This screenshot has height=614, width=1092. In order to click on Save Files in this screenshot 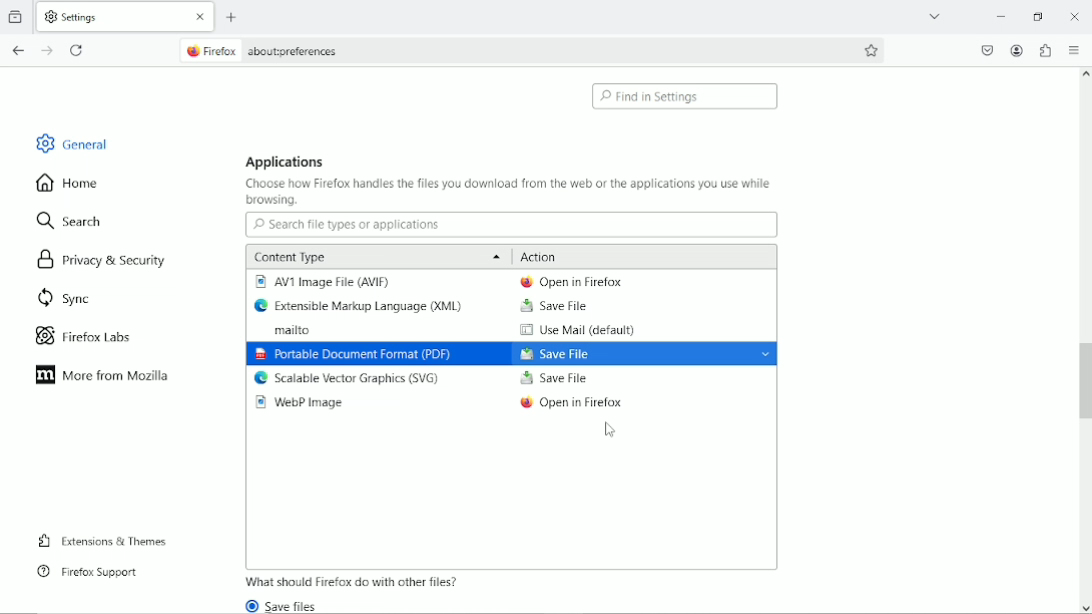, I will do `click(288, 605)`.